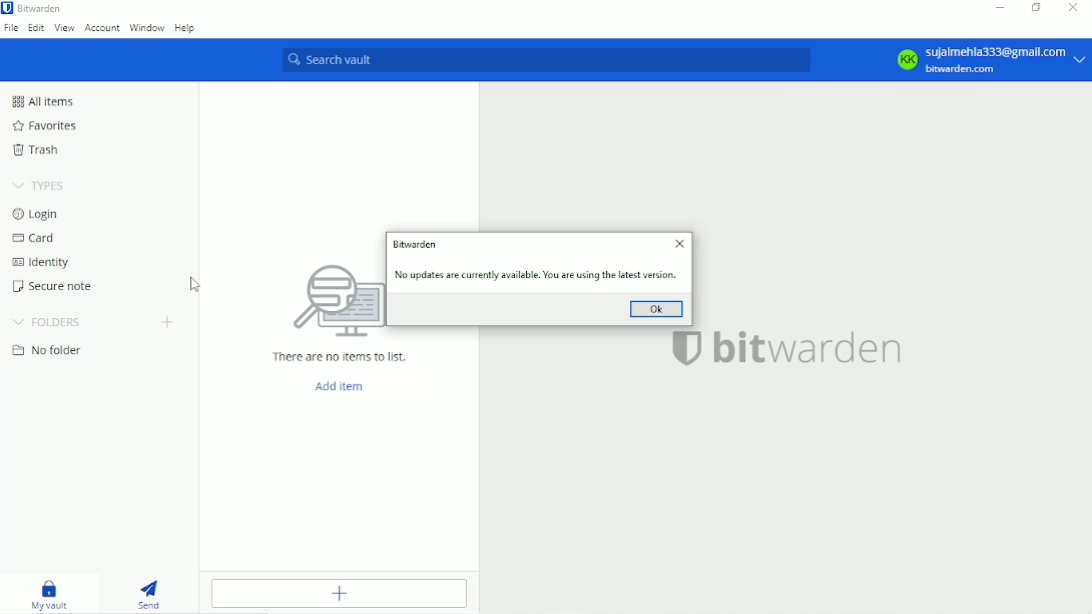  What do you see at coordinates (48, 592) in the screenshot?
I see `My vault` at bounding box center [48, 592].